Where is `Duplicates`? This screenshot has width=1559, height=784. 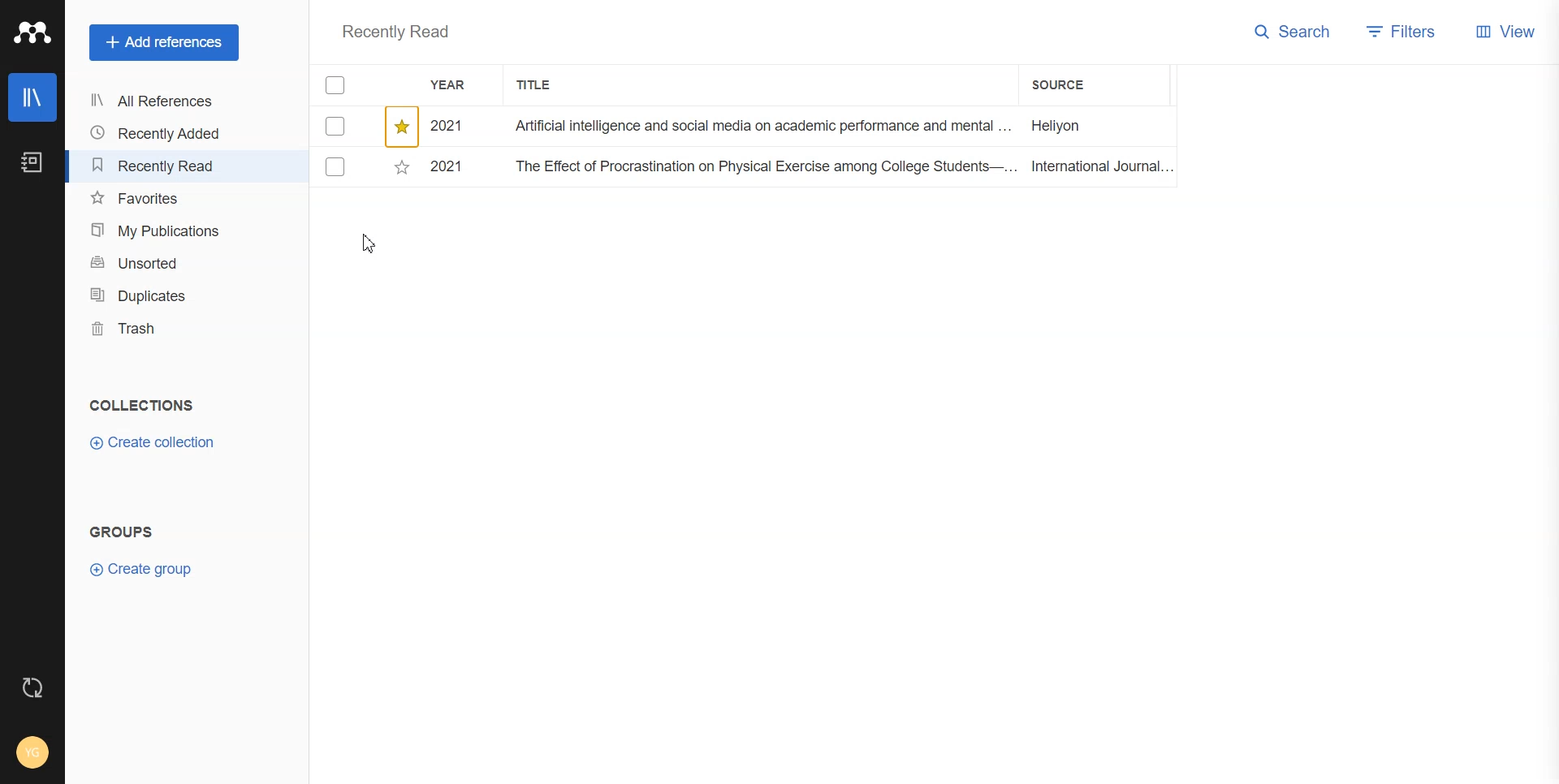 Duplicates is located at coordinates (160, 295).